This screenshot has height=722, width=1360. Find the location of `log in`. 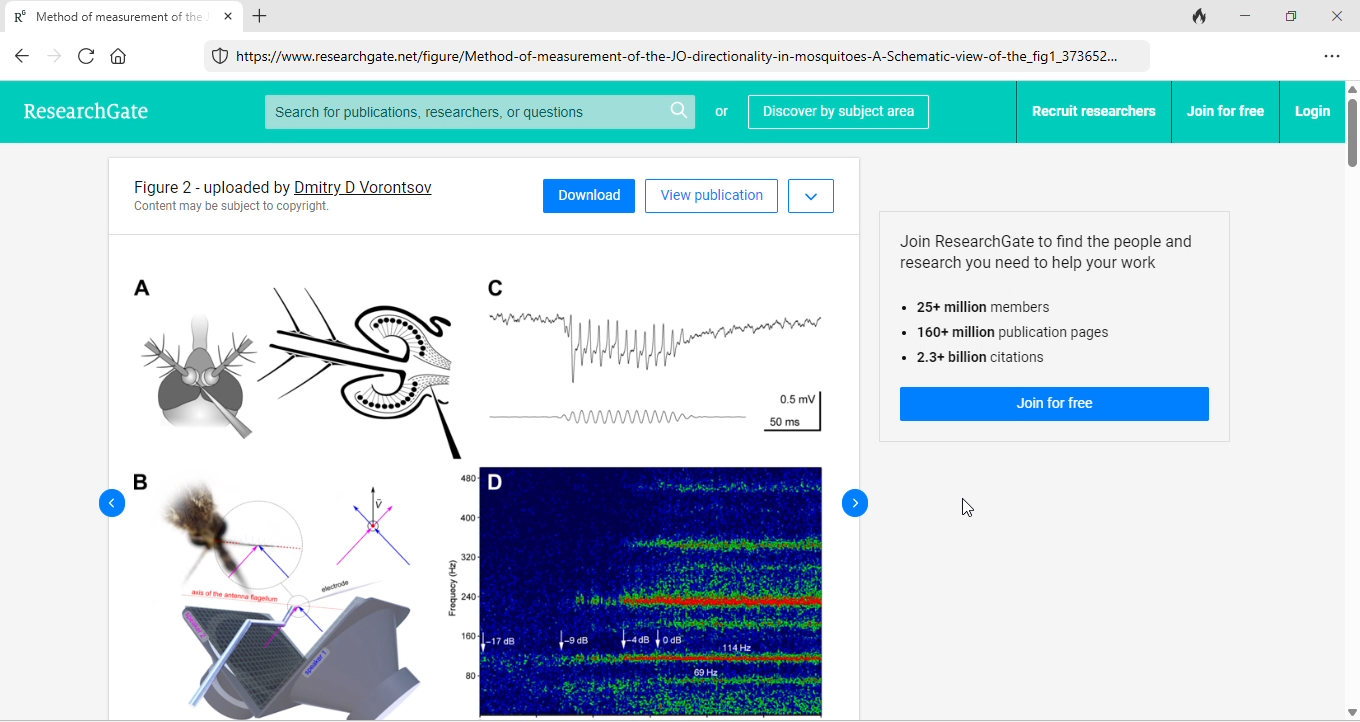

log in is located at coordinates (1312, 110).